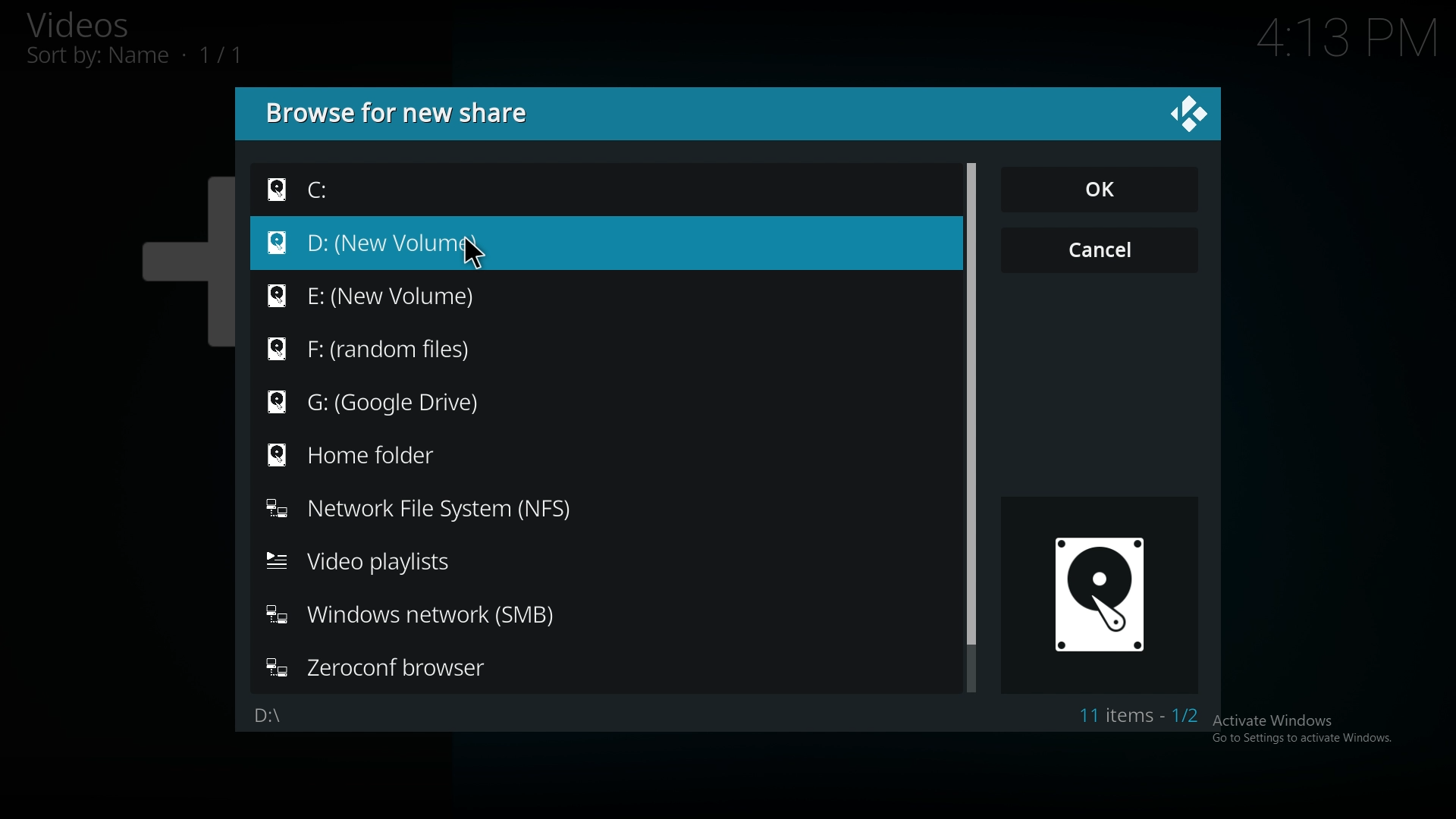  Describe the element at coordinates (375, 561) in the screenshot. I see `folder` at that location.